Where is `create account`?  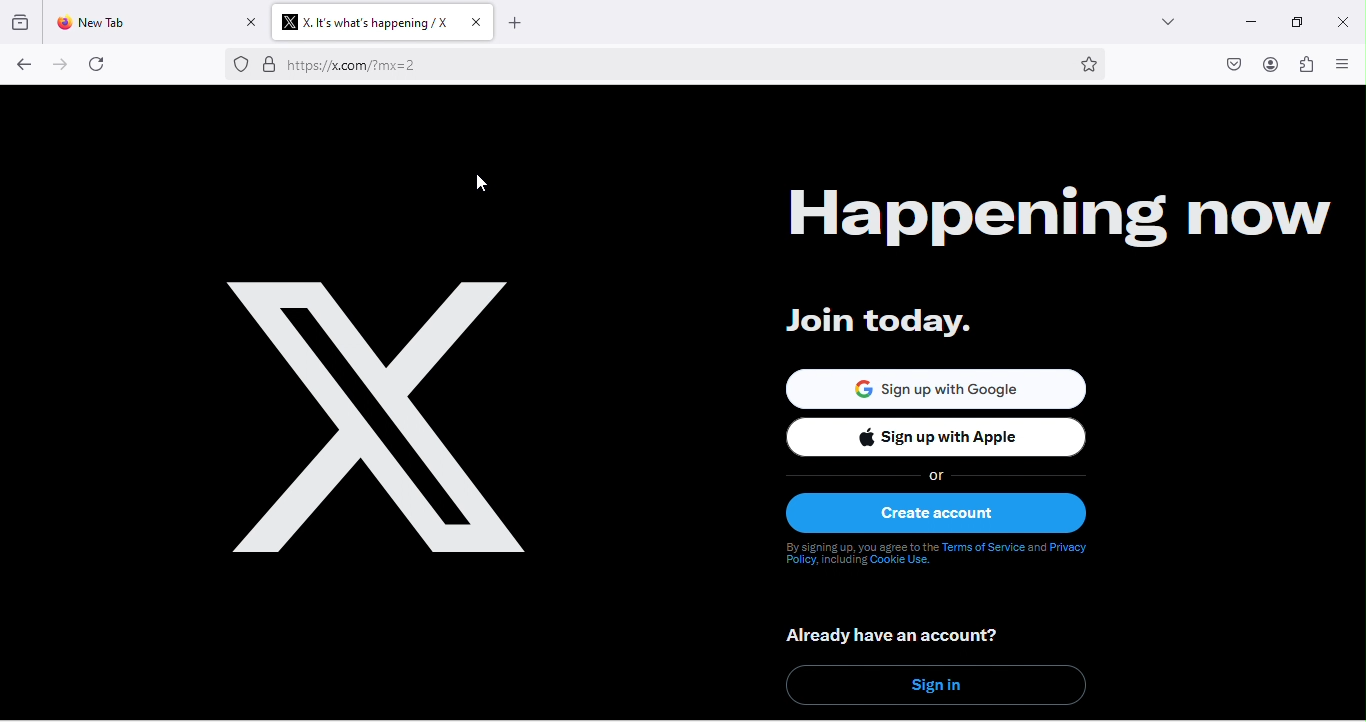 create account is located at coordinates (946, 513).